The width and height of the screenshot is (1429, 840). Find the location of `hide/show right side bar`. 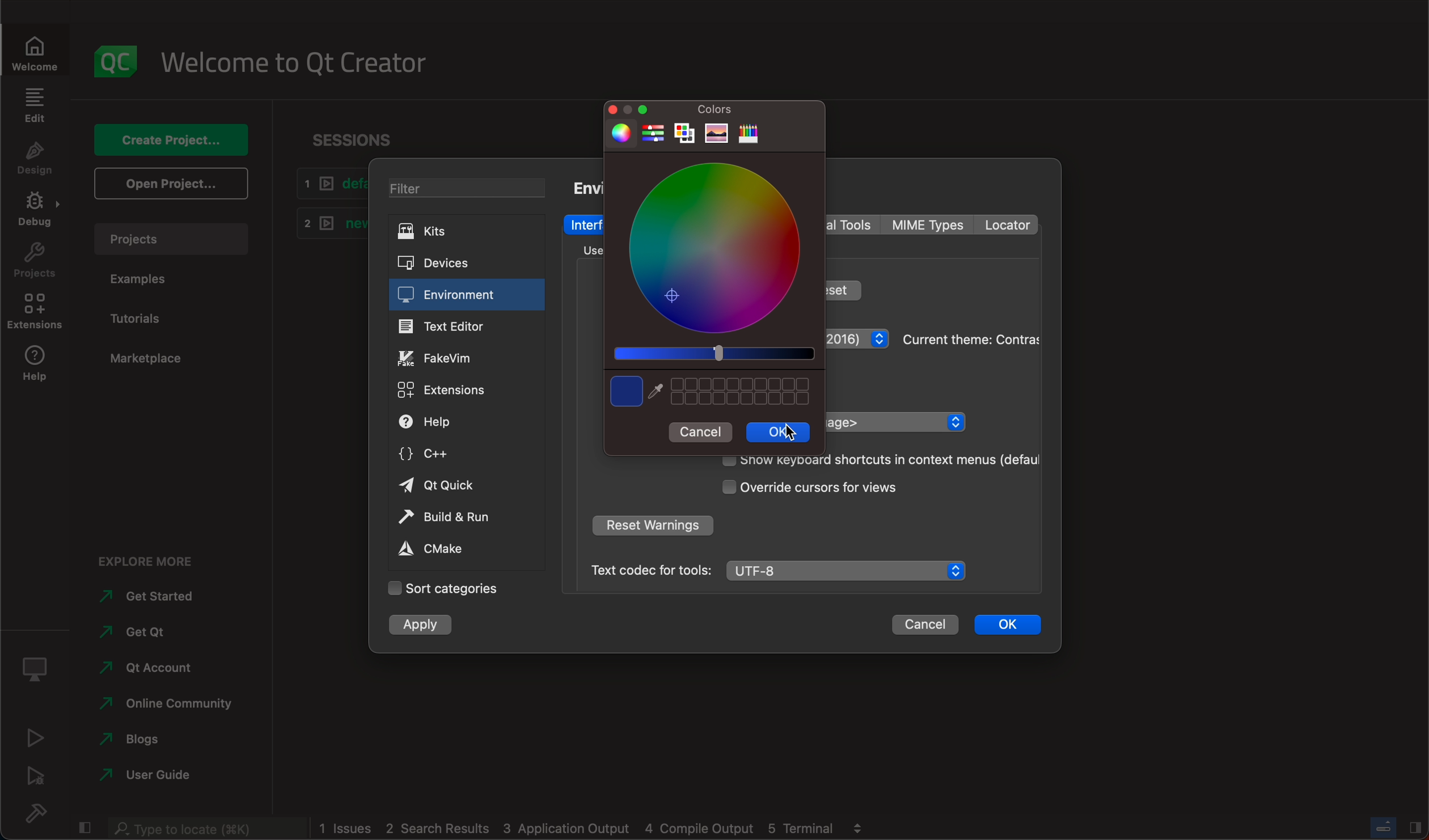

hide/show right side bar is located at coordinates (1415, 826).